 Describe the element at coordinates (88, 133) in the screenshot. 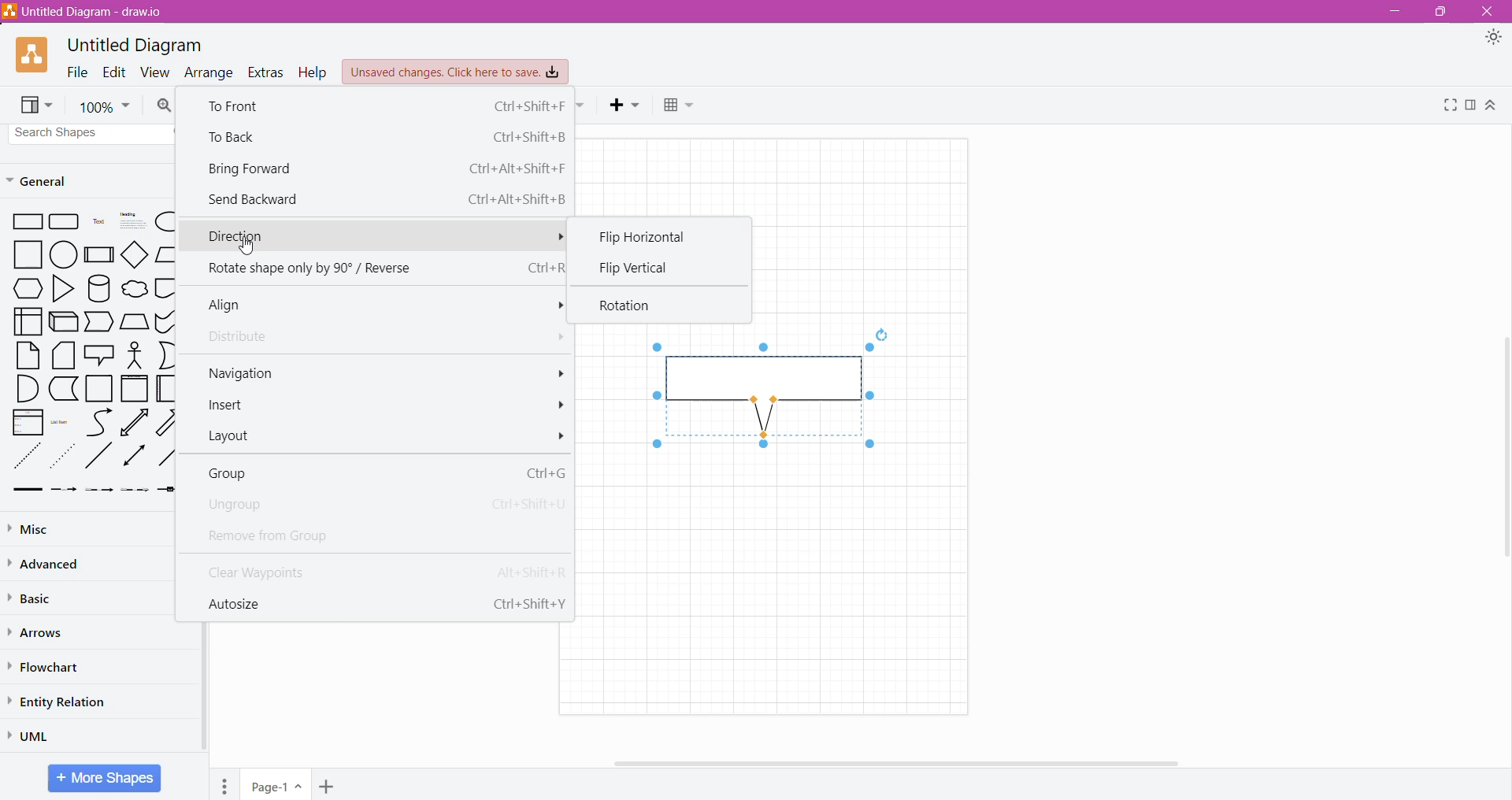

I see `Search Shapes` at that location.